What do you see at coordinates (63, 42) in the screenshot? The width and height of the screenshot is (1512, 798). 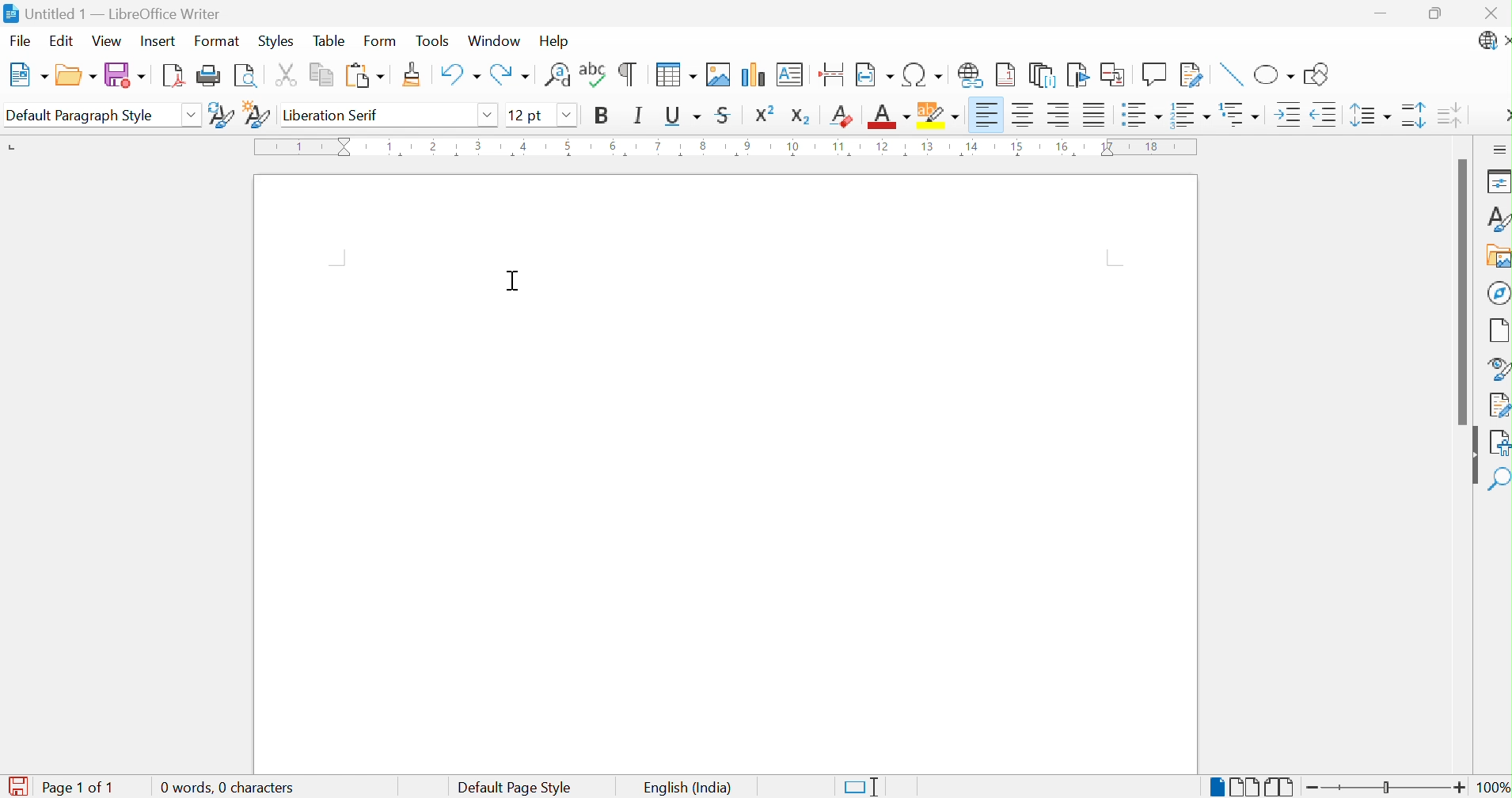 I see `Edit` at bounding box center [63, 42].